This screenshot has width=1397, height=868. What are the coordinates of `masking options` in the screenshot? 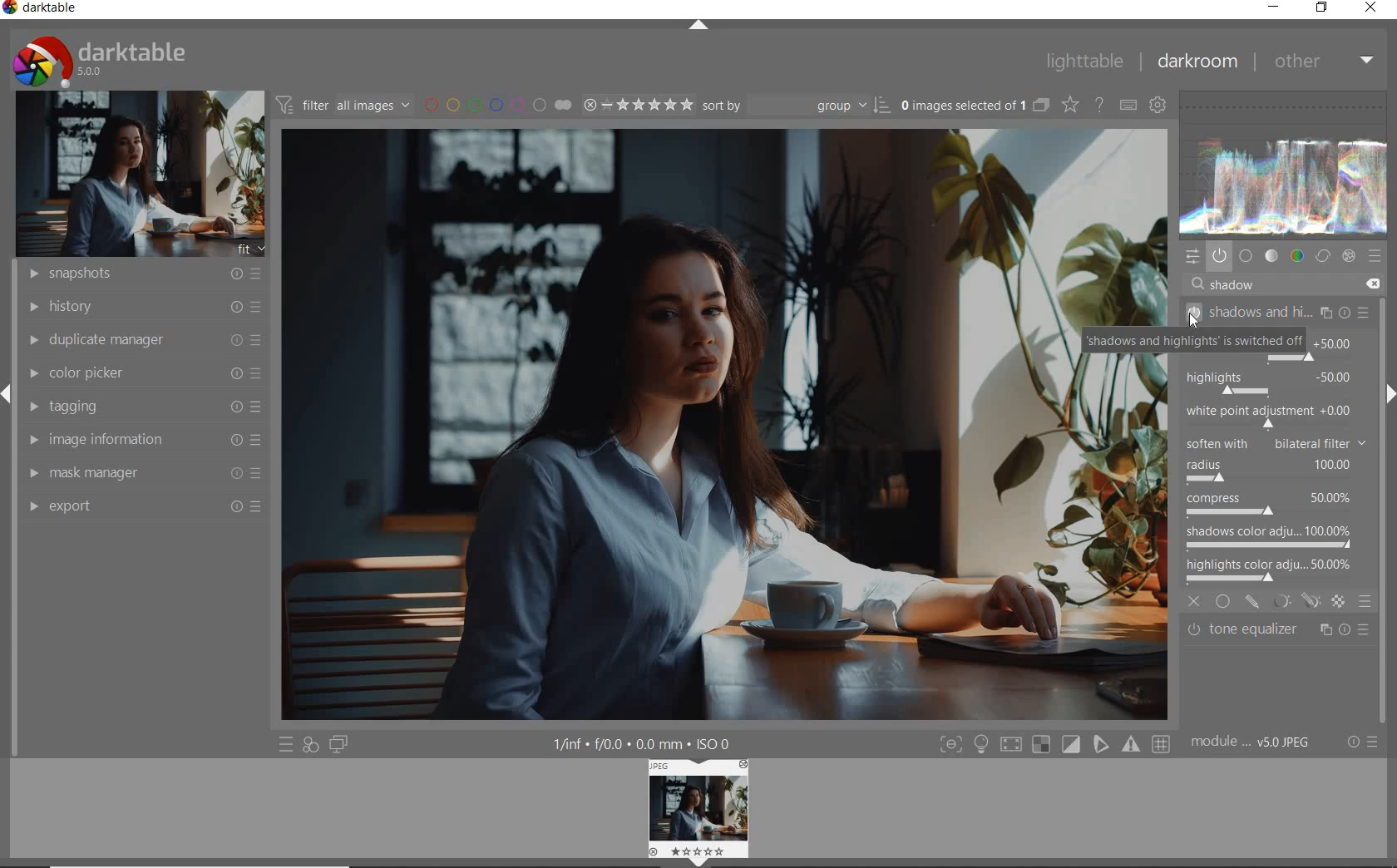 It's located at (1296, 601).